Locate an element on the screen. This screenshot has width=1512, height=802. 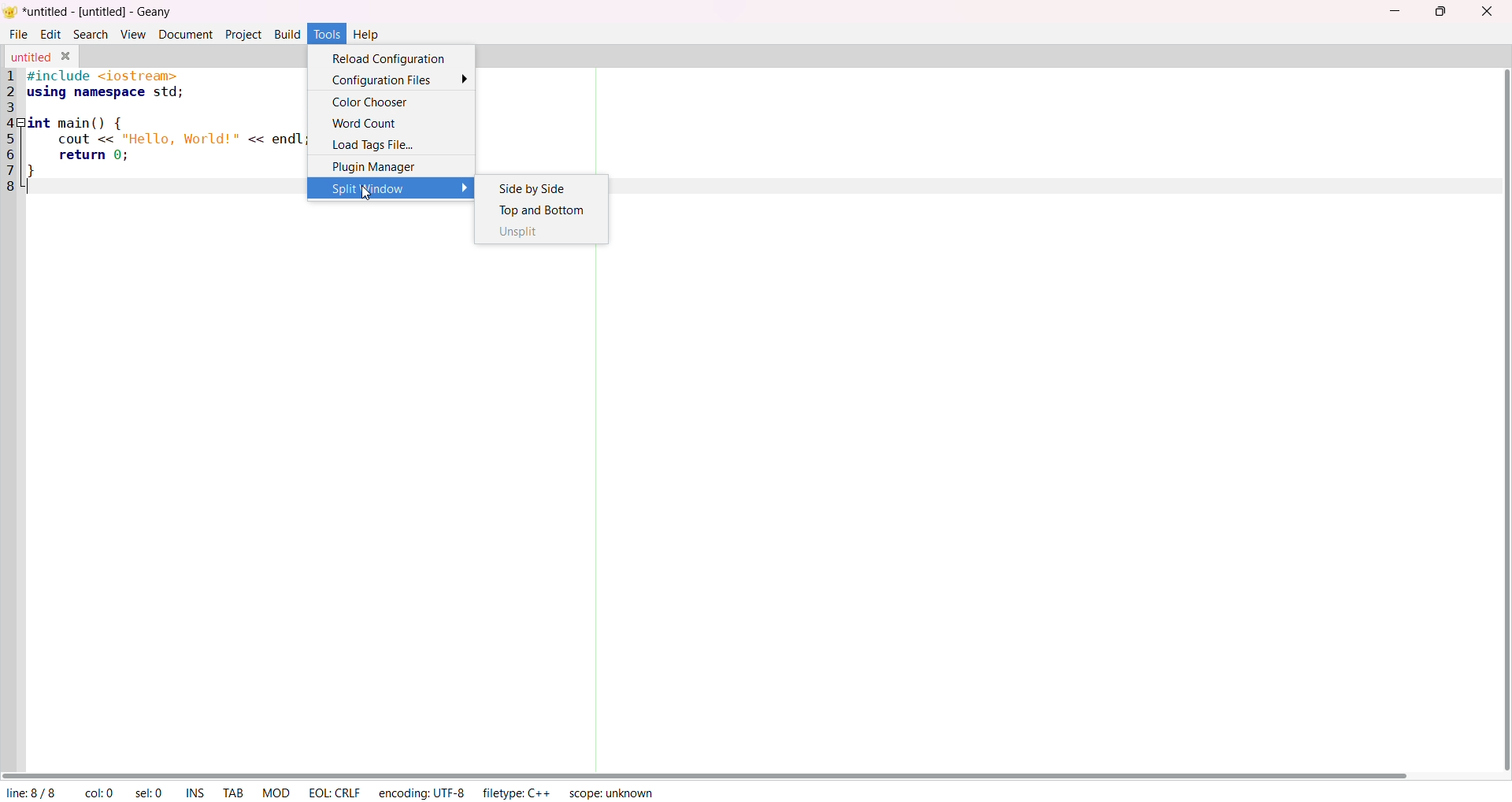
selected is located at coordinates (151, 792).